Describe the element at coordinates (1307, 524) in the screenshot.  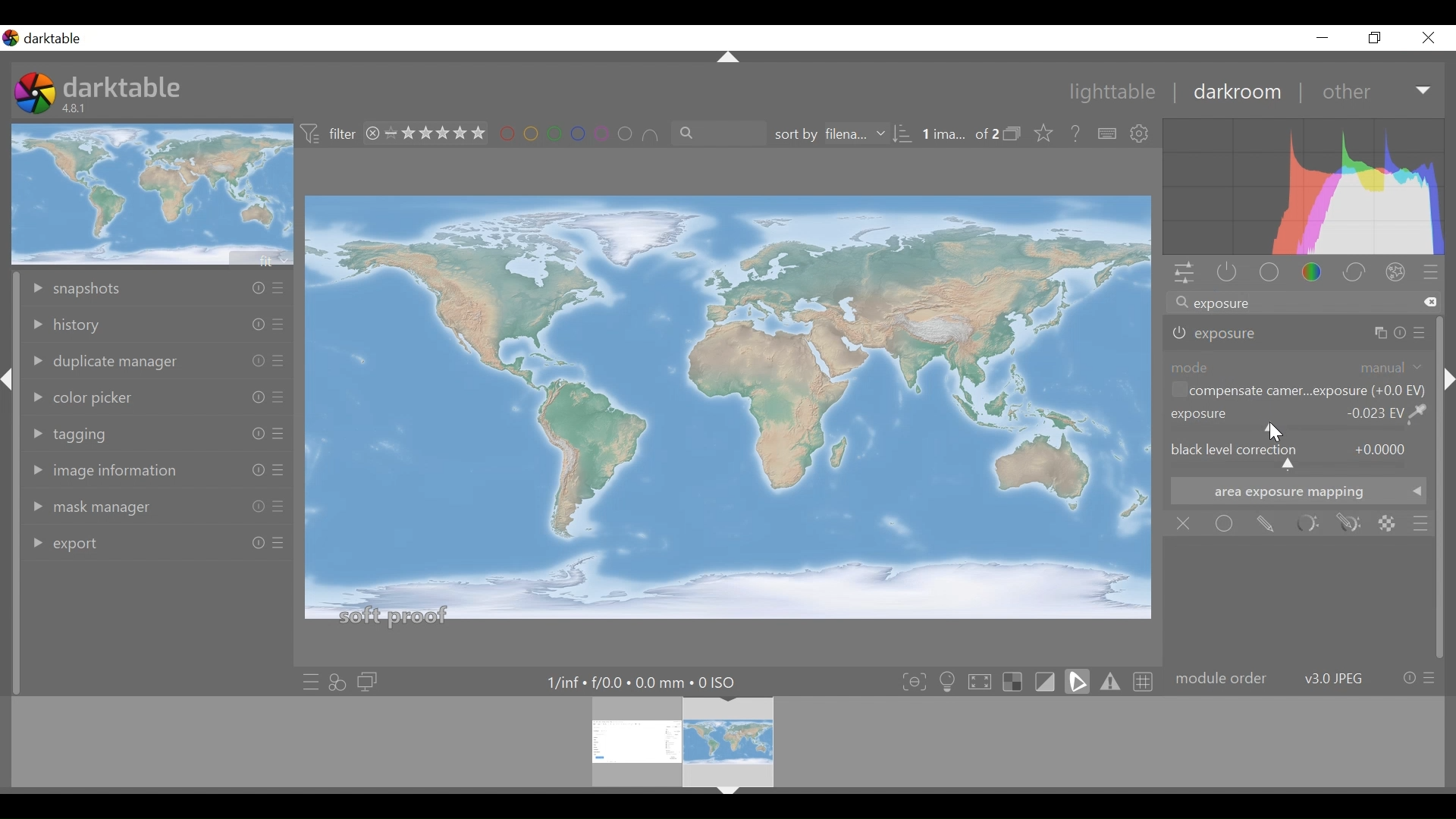
I see `parametric mask` at that location.